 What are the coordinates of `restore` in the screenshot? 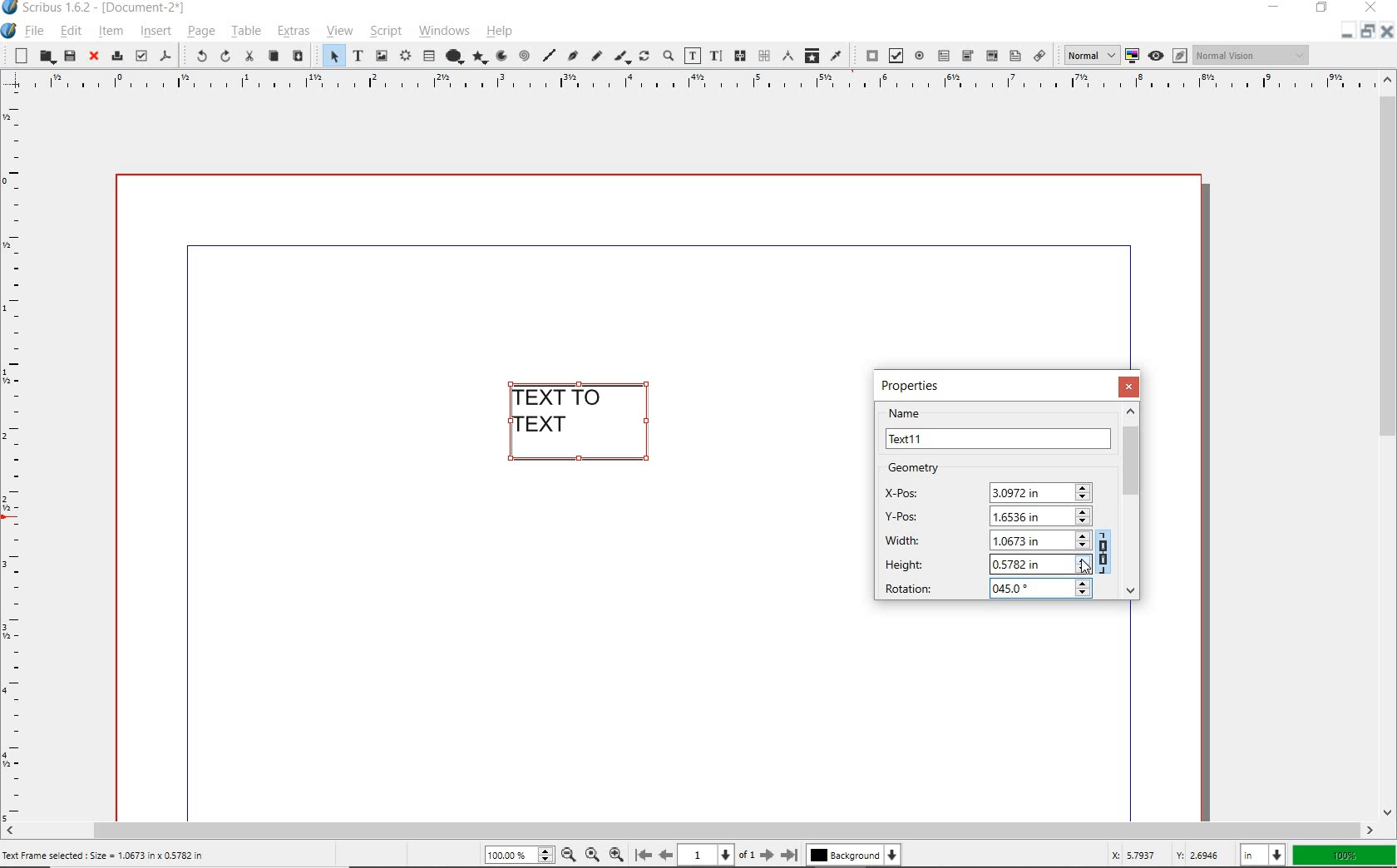 It's located at (1370, 34).